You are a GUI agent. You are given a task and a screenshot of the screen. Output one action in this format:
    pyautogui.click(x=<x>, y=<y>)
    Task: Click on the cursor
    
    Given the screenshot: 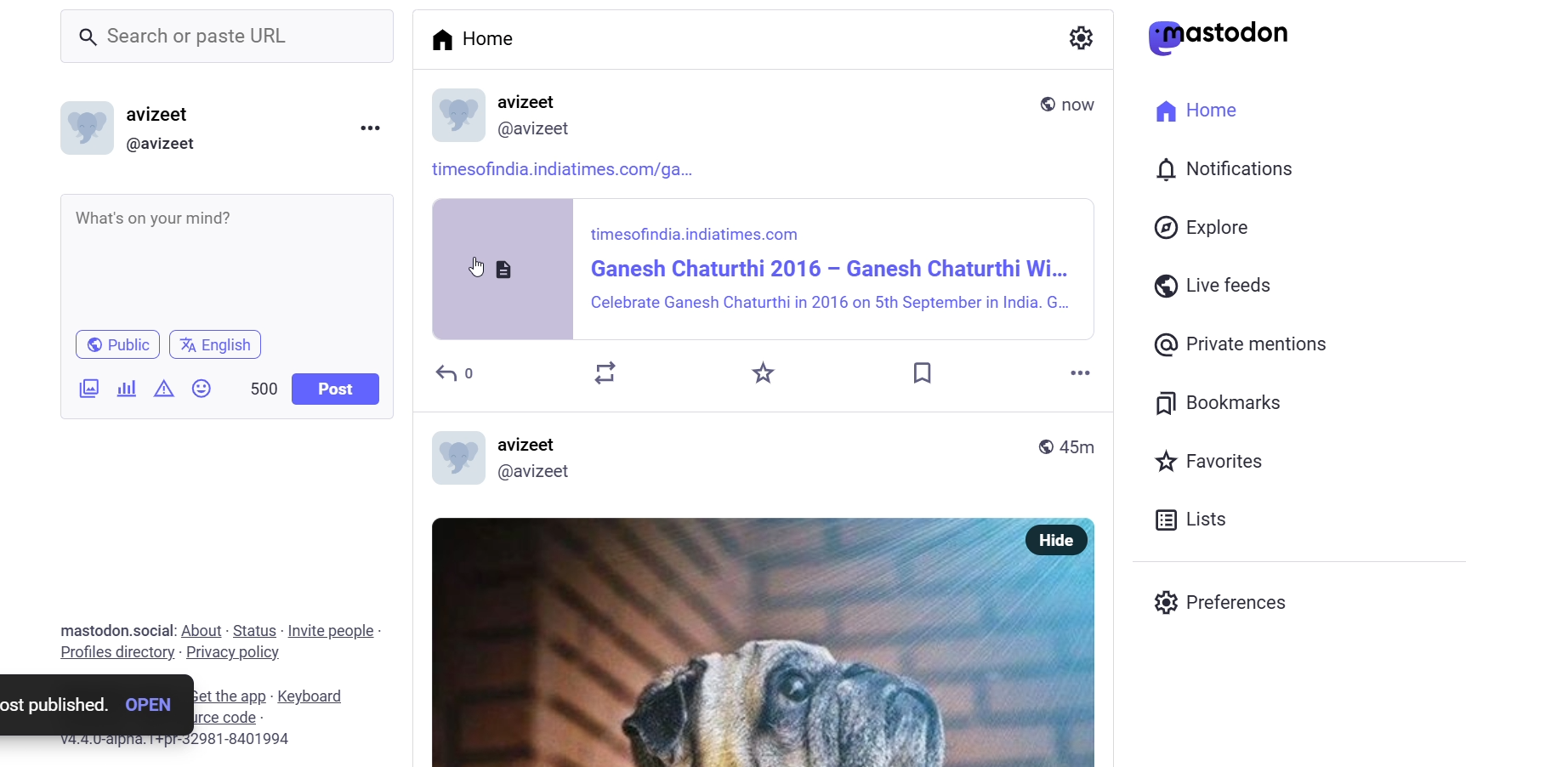 What is the action you would take?
    pyautogui.click(x=483, y=271)
    